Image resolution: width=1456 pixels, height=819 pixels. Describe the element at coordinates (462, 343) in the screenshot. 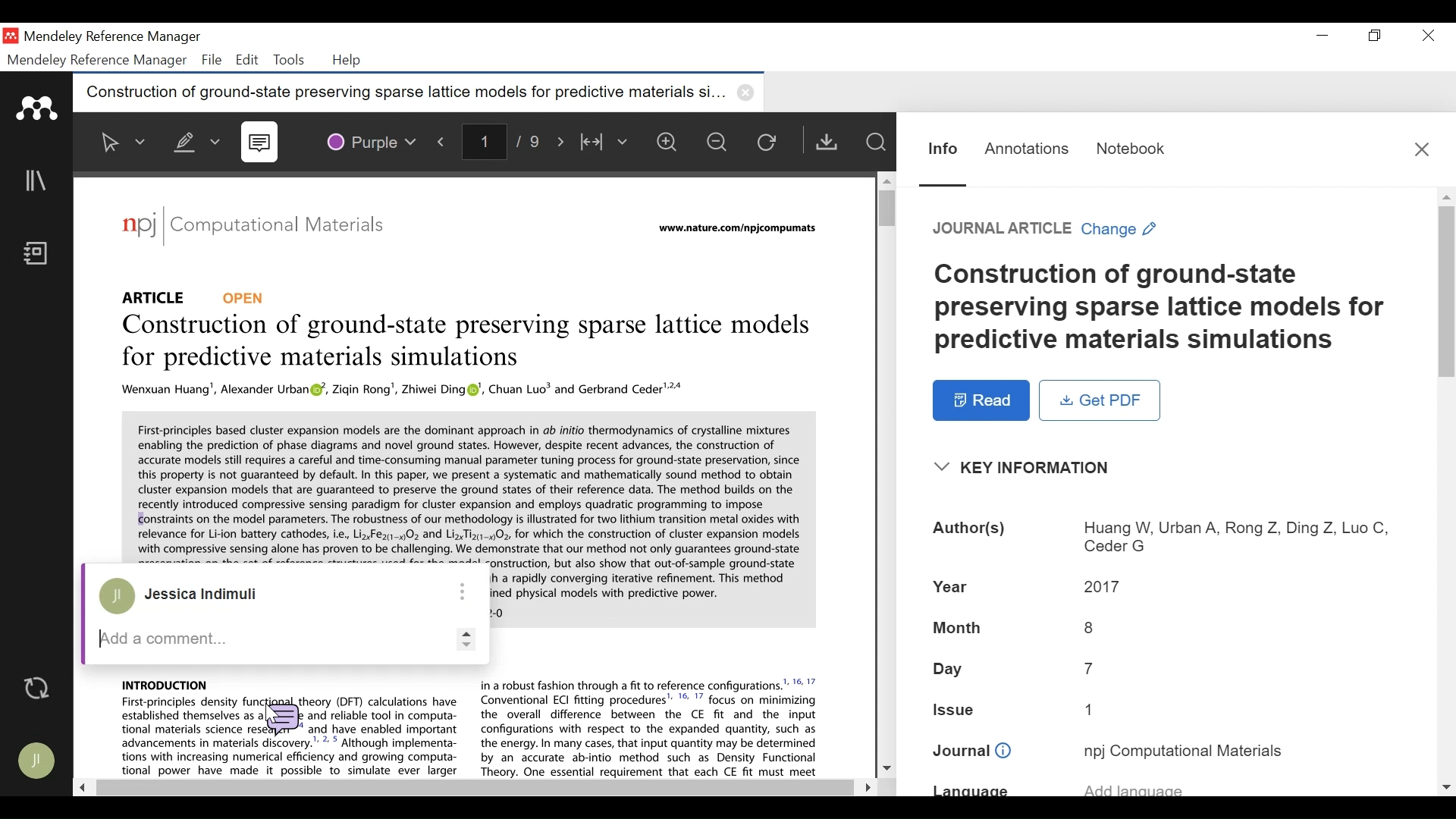

I see `Title: Construction of ground-state preserving sparse lattice models for predictive materials simulations` at that location.